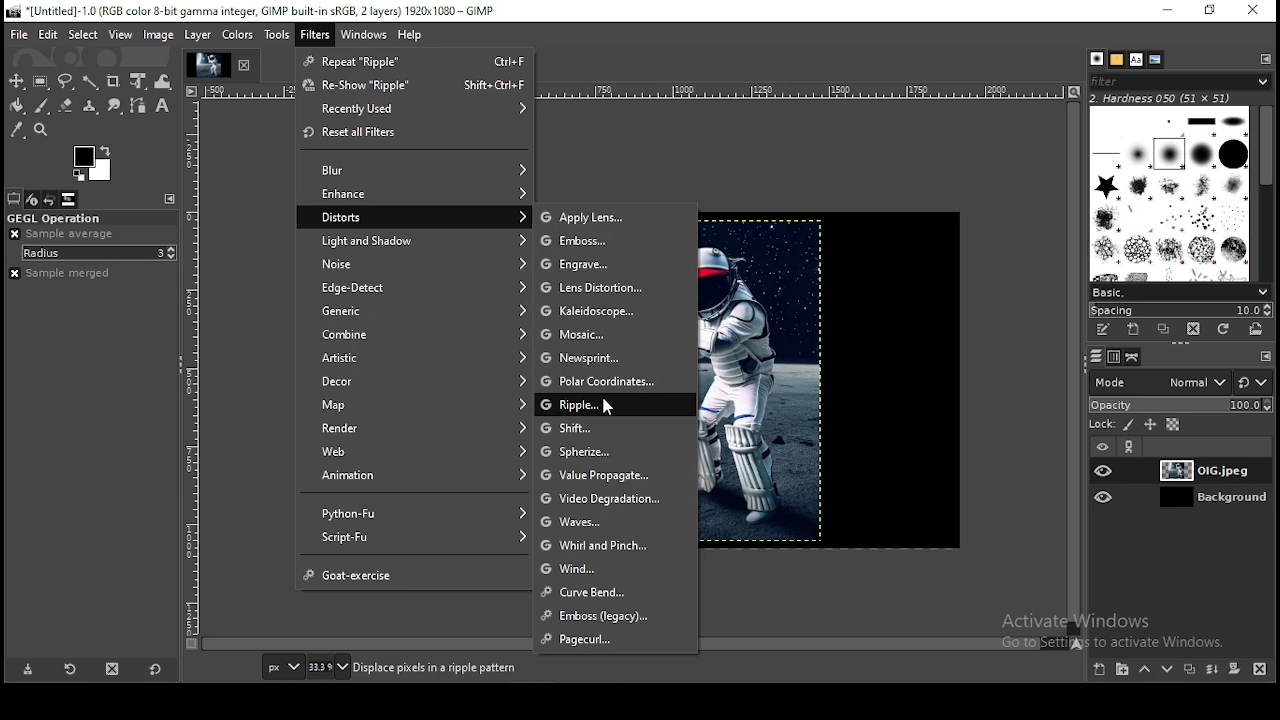  Describe the element at coordinates (424, 289) in the screenshot. I see `edge detect` at that location.